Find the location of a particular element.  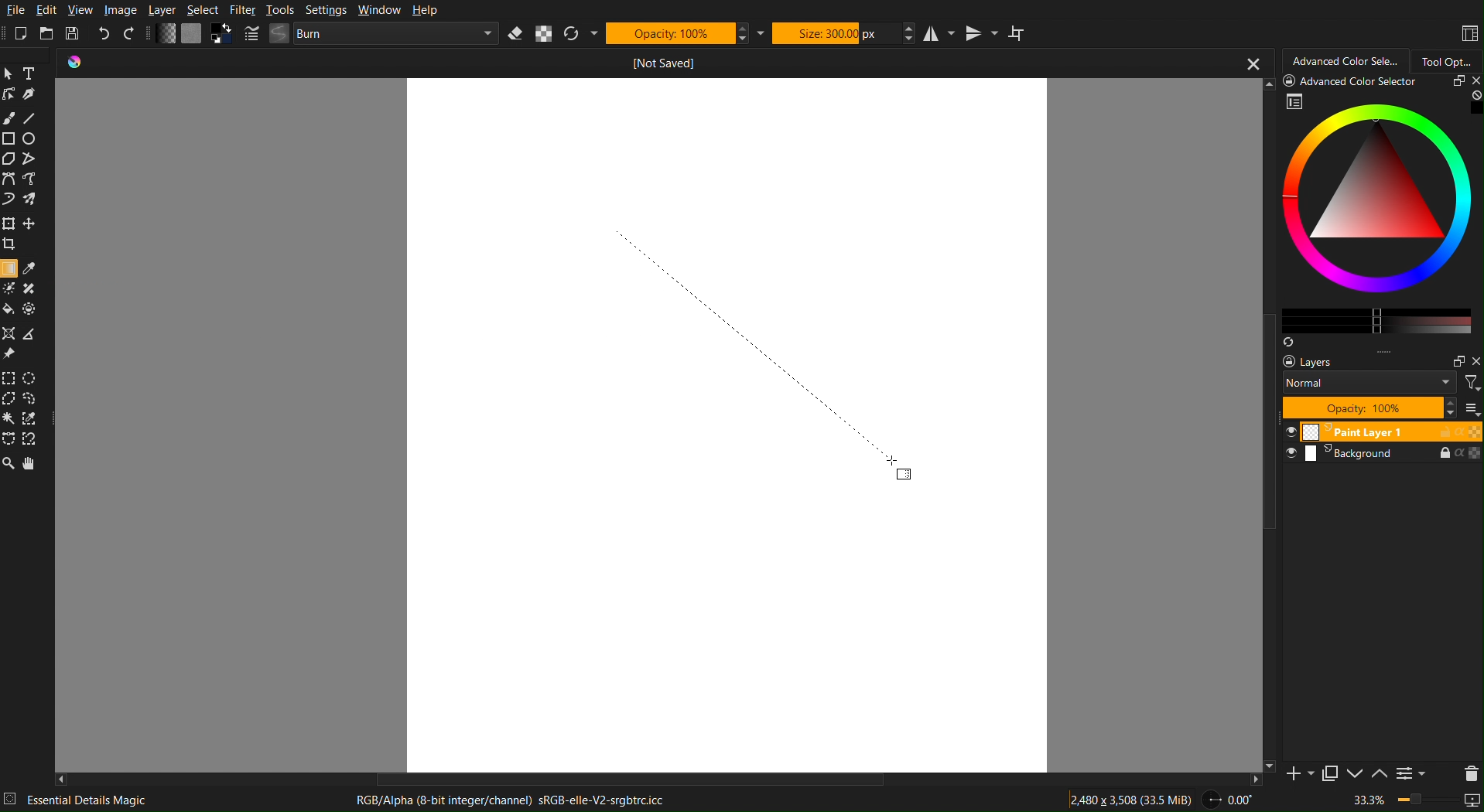

Refresh is located at coordinates (581, 33).